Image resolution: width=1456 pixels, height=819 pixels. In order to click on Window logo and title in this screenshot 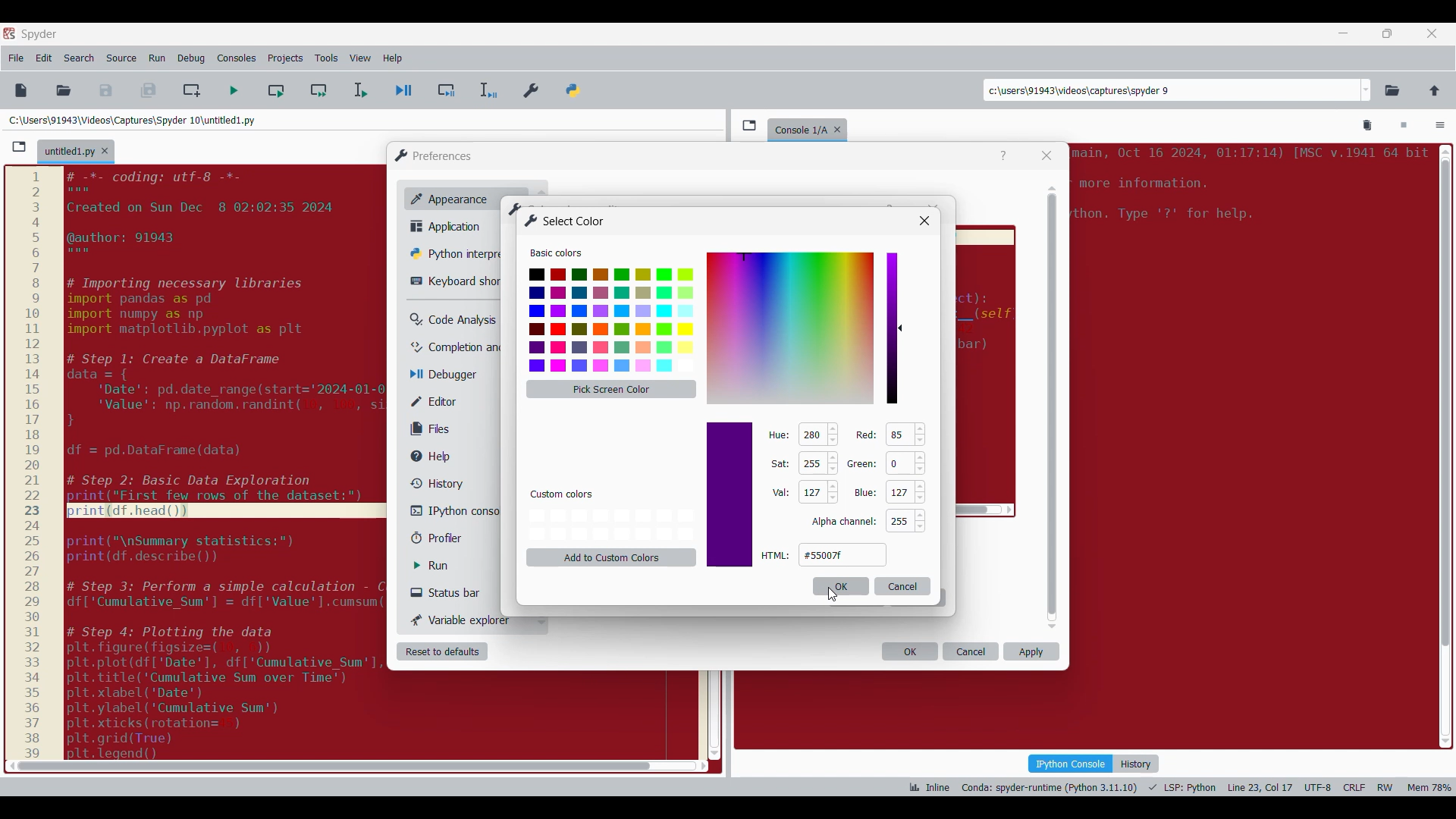, I will do `click(434, 155)`.